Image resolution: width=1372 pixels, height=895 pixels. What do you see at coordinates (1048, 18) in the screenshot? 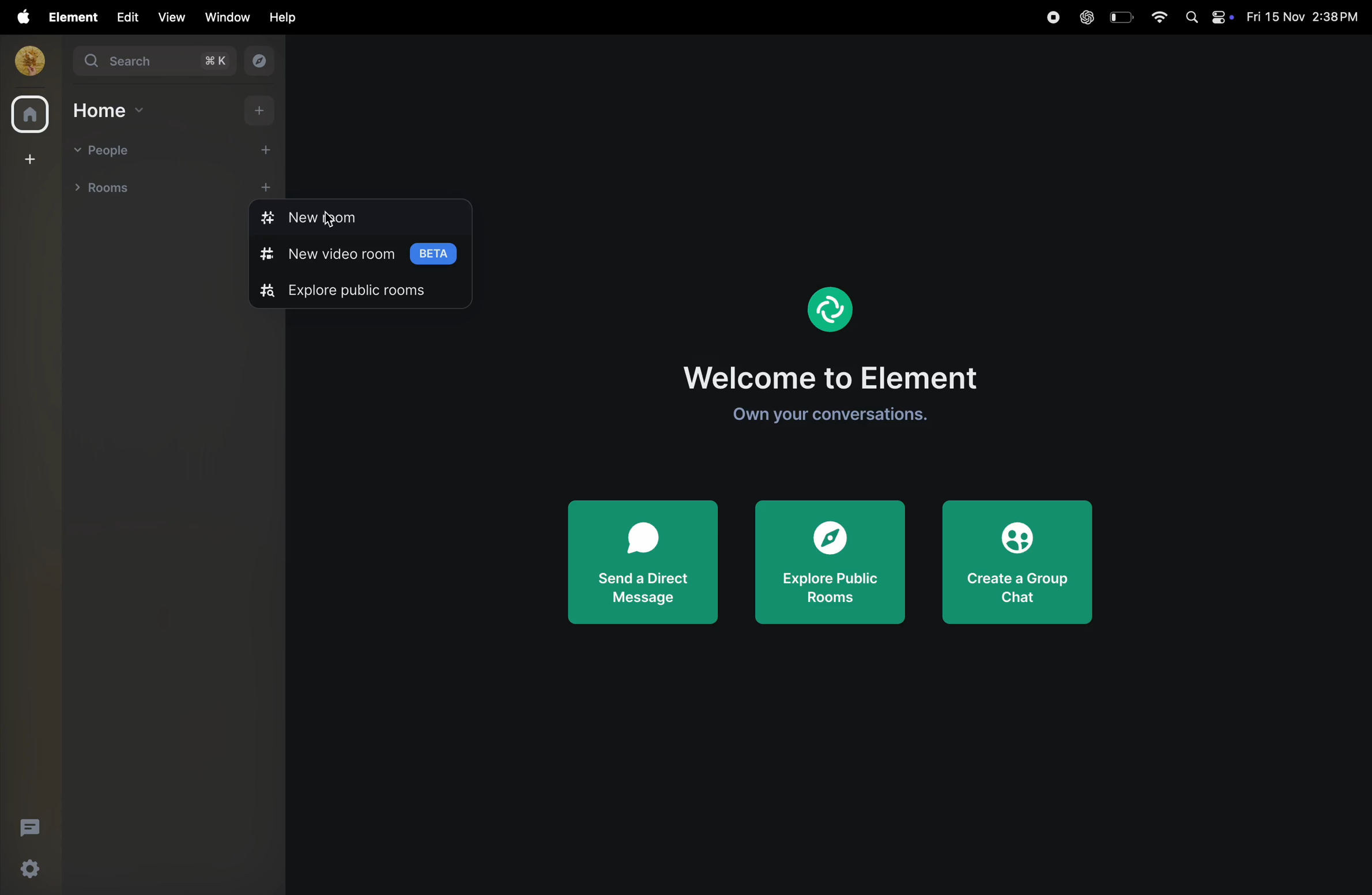
I see `record` at bounding box center [1048, 18].